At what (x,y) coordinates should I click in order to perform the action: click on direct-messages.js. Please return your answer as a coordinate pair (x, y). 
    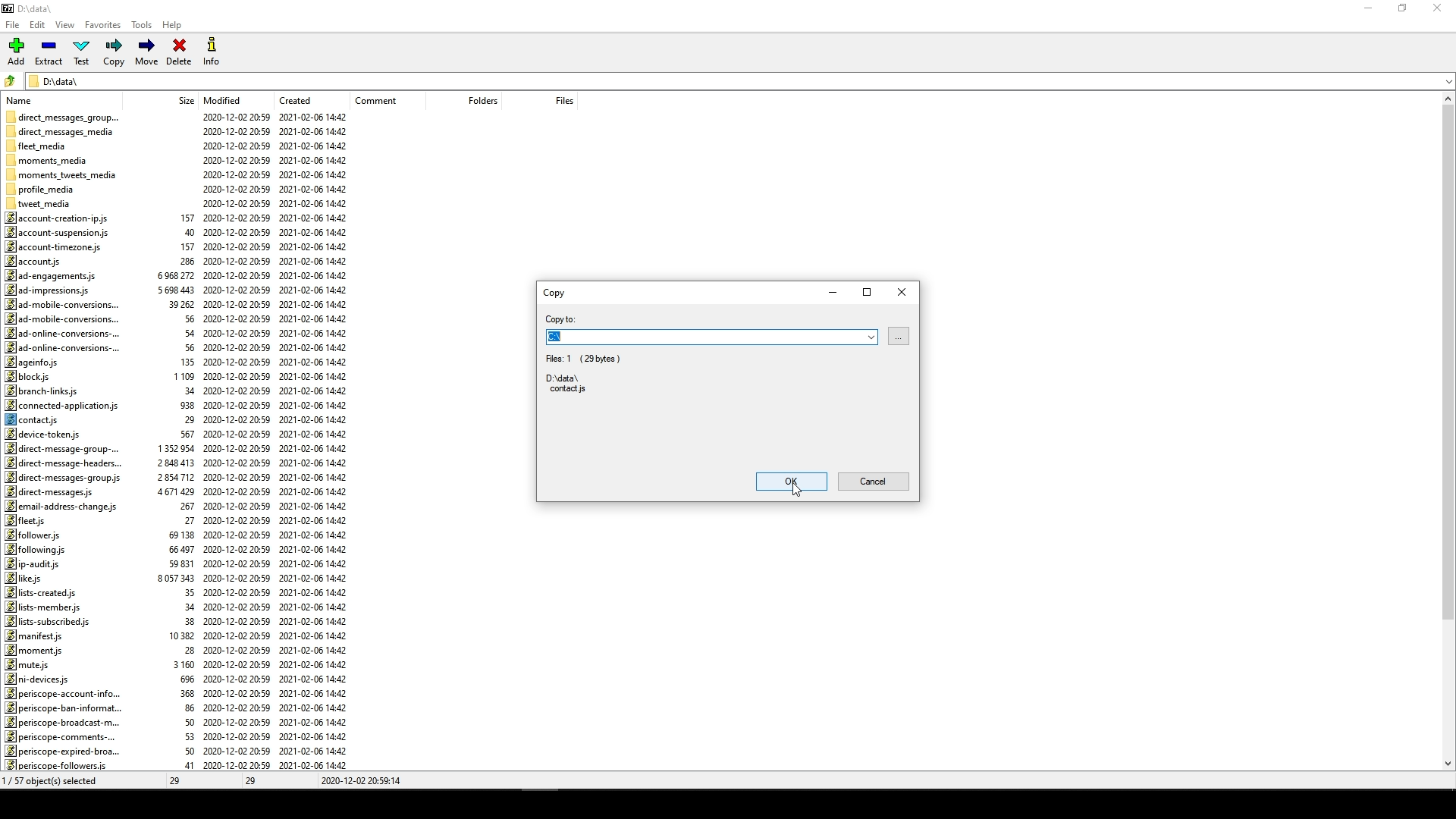
    Looking at the image, I should click on (52, 492).